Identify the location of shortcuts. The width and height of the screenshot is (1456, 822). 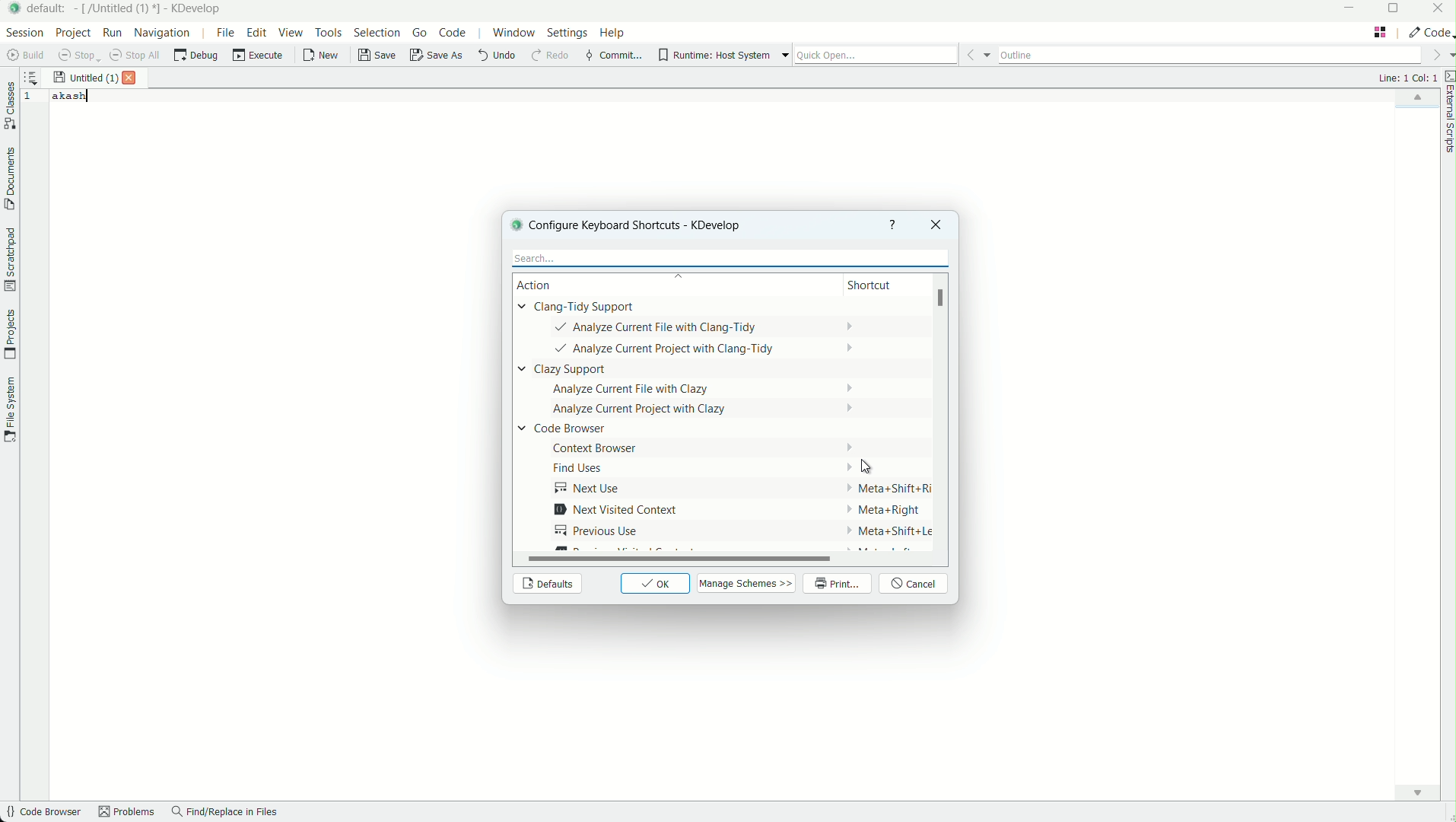
(882, 425).